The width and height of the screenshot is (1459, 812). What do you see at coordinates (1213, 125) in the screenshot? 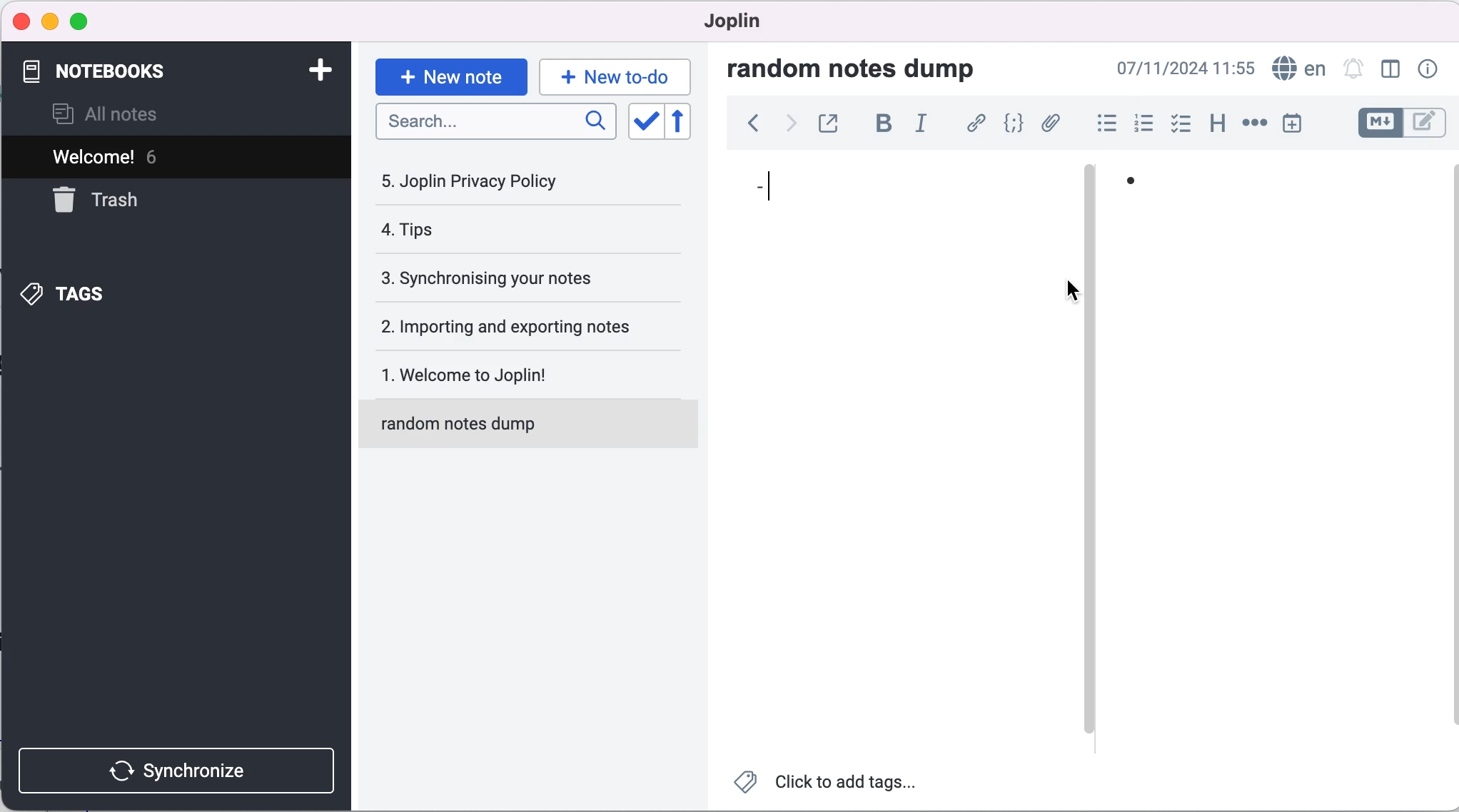
I see `heading` at bounding box center [1213, 125].